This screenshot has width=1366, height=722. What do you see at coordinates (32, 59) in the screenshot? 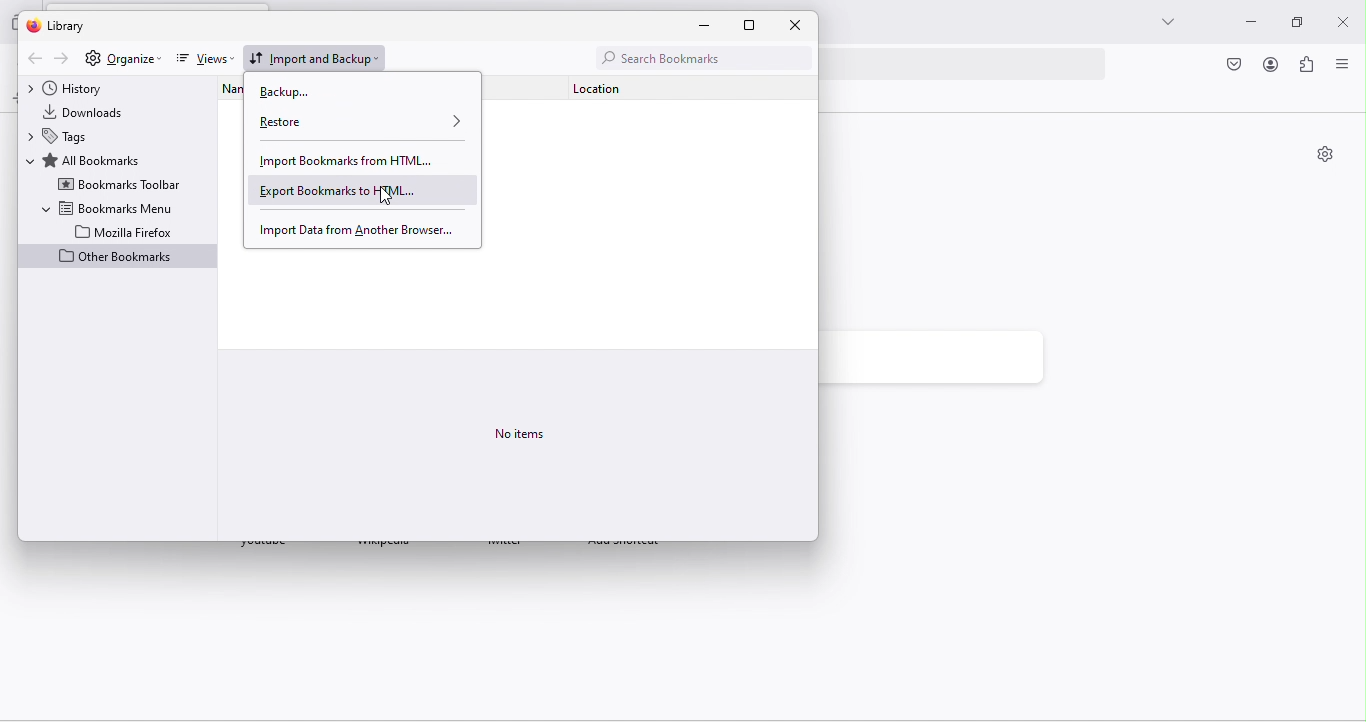
I see `back` at bounding box center [32, 59].